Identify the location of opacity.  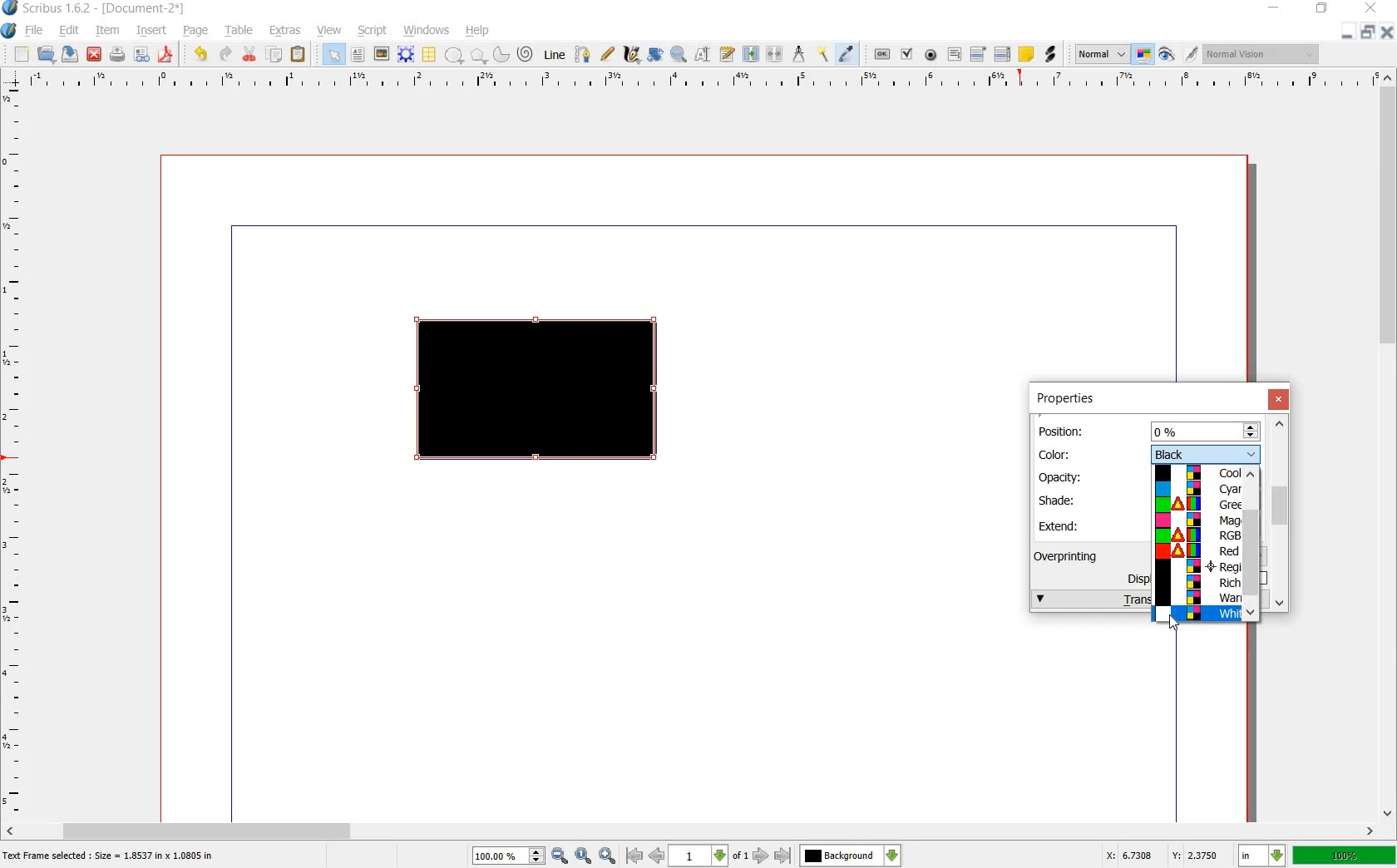
(1062, 477).